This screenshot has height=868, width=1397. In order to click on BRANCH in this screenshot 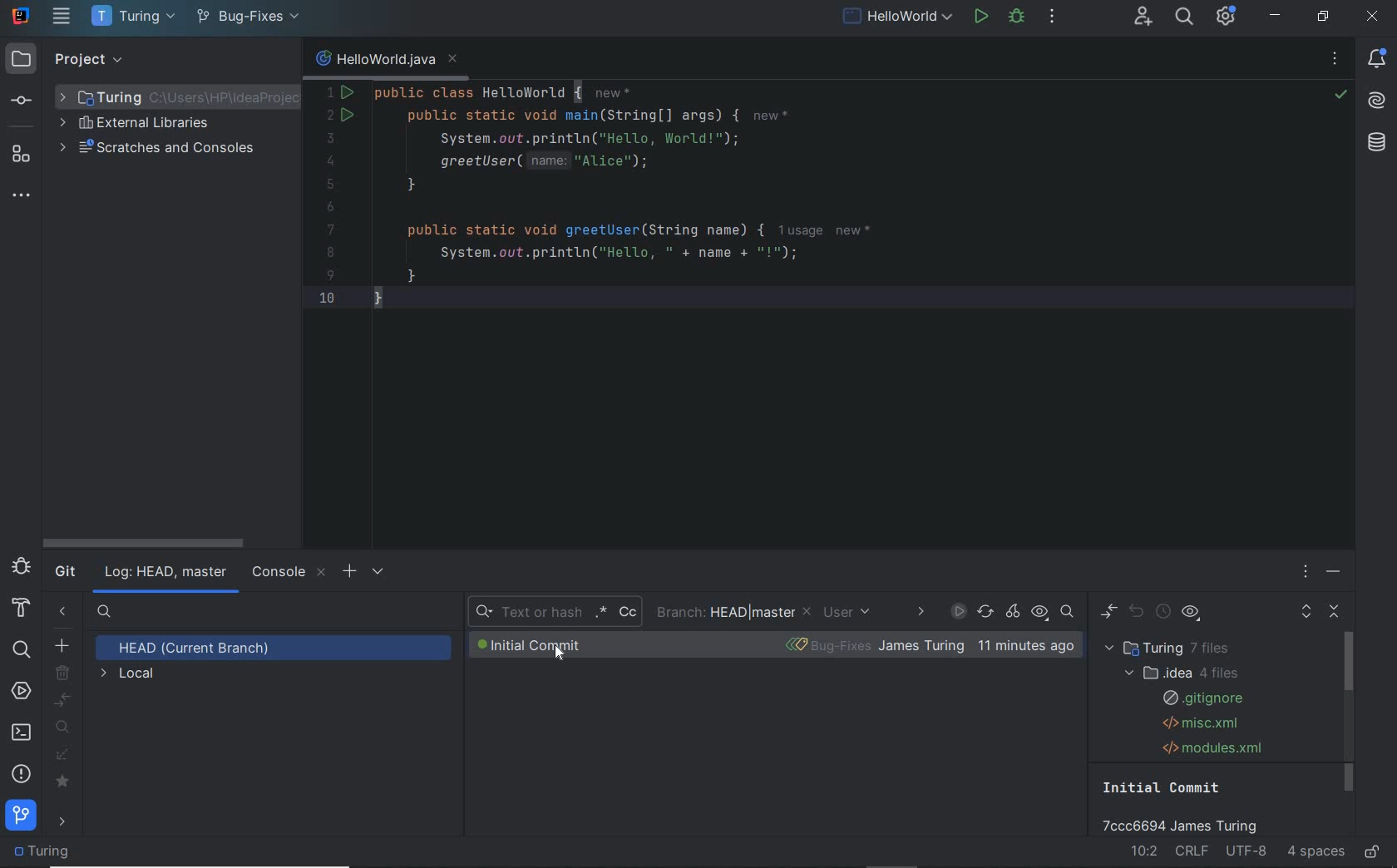, I will do `click(734, 613)`.